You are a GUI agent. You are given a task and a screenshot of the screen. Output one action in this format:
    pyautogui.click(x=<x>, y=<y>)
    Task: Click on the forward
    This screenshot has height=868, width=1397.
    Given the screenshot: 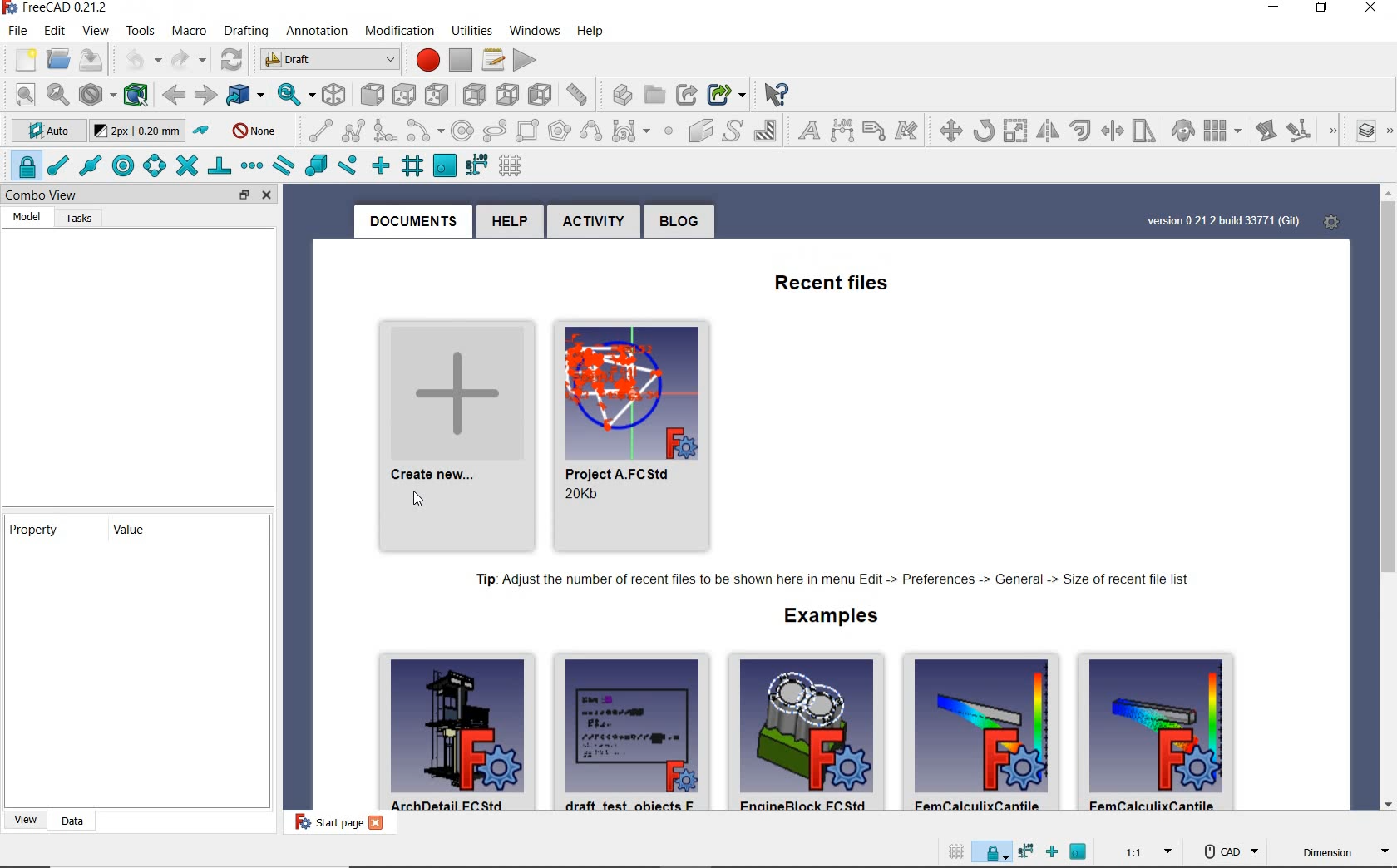 What is the action you would take?
    pyautogui.click(x=205, y=92)
    